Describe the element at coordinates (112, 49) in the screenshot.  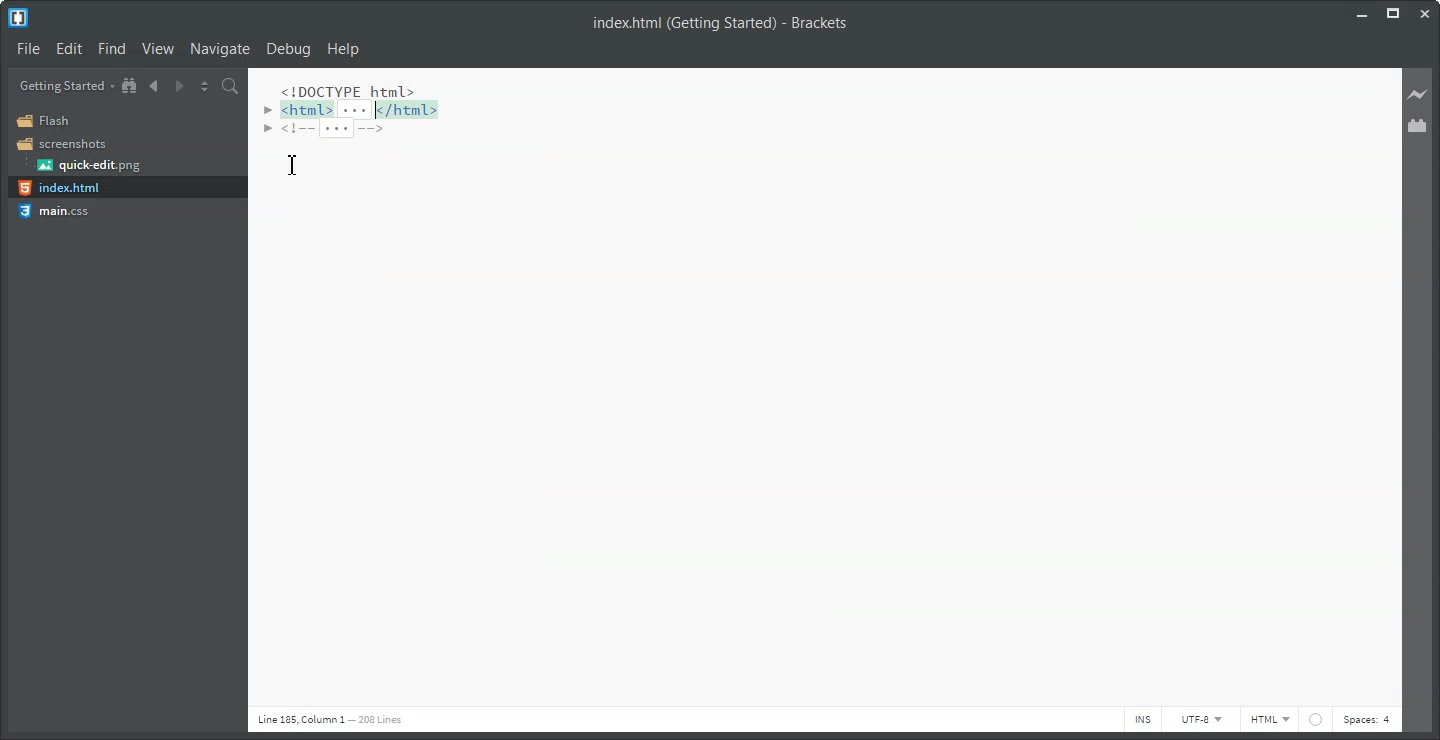
I see `Find` at that location.